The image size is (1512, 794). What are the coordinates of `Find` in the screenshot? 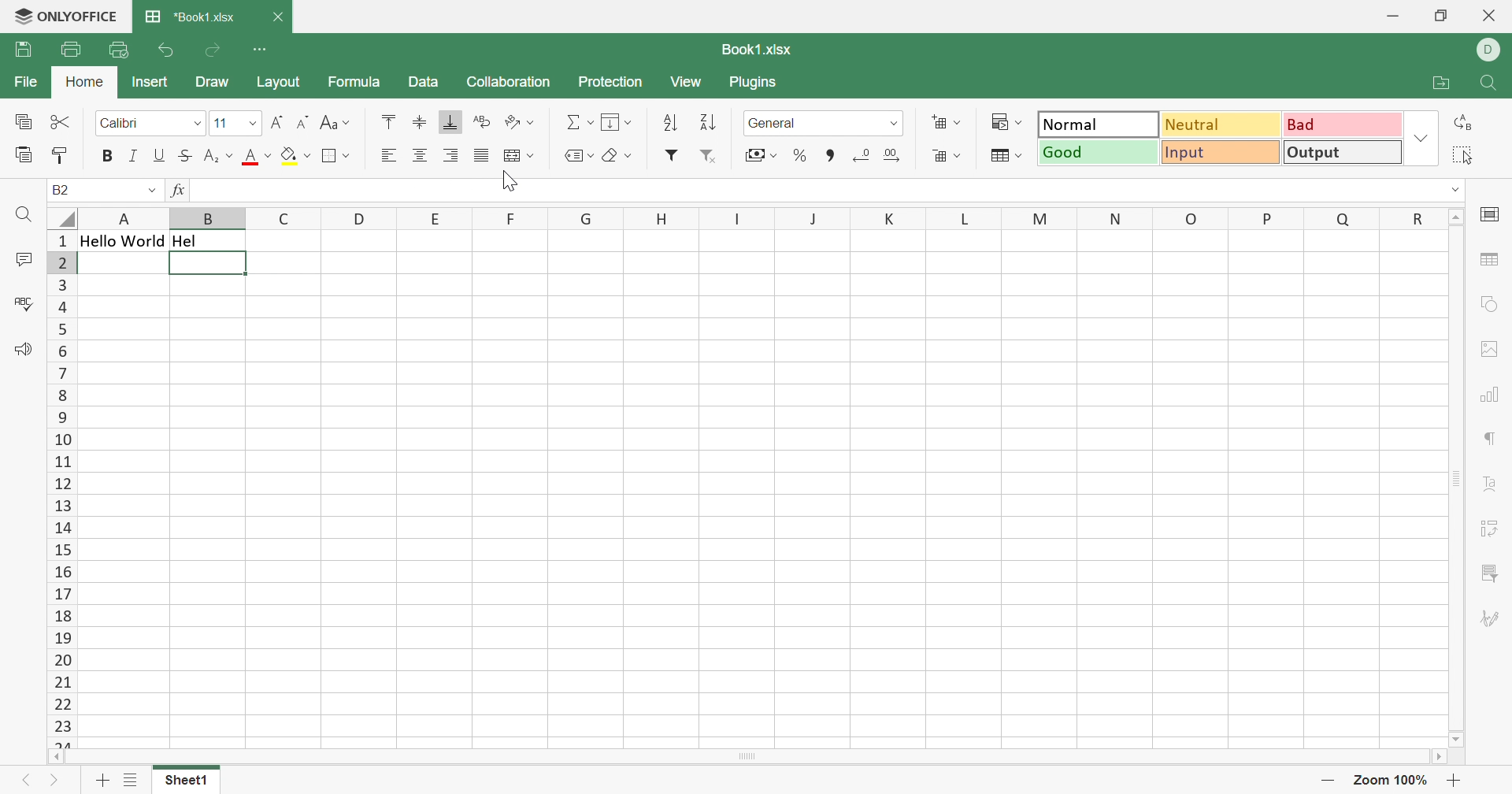 It's located at (22, 216).